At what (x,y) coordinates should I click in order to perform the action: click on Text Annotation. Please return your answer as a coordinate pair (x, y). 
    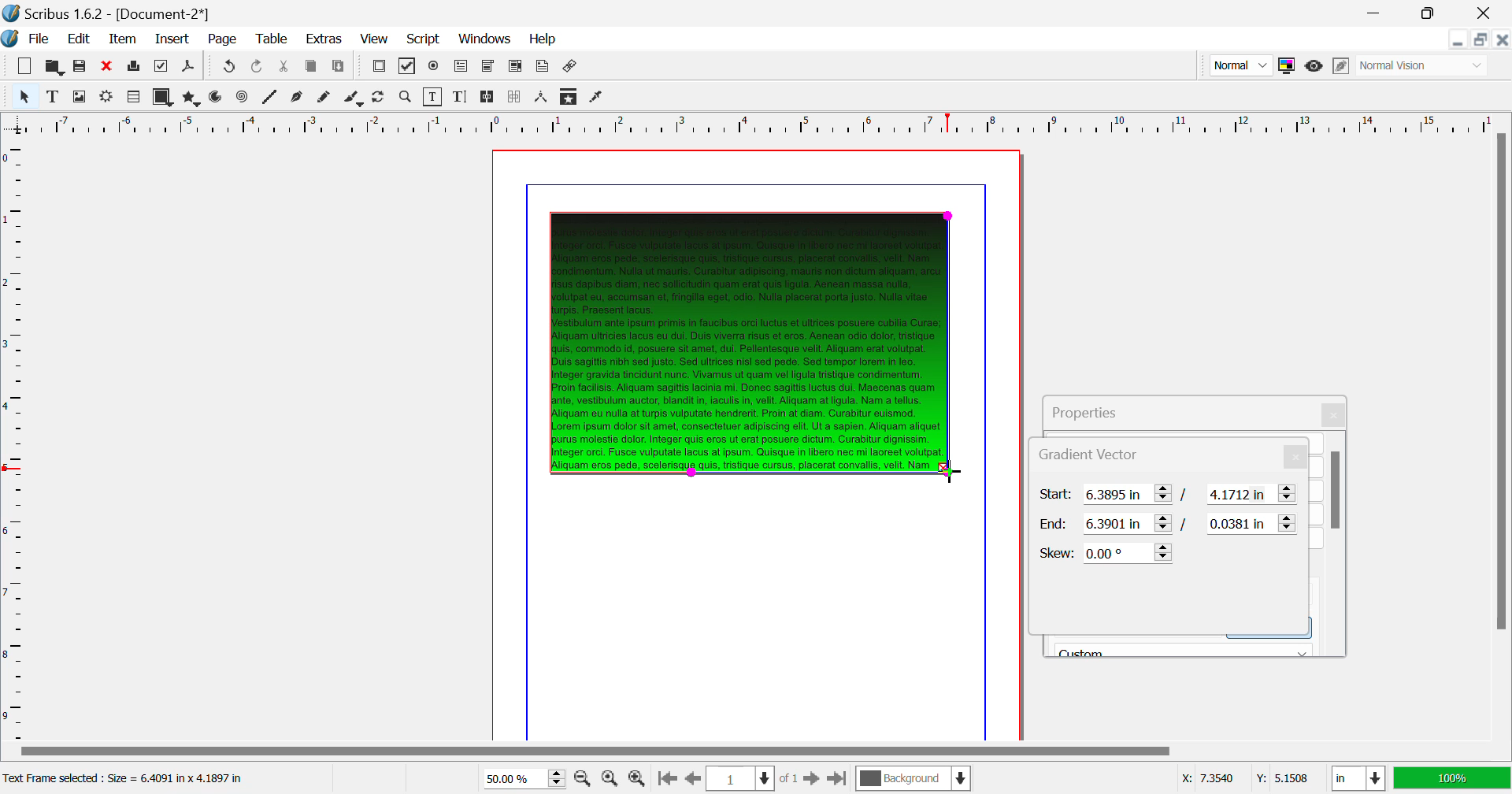
    Looking at the image, I should click on (542, 68).